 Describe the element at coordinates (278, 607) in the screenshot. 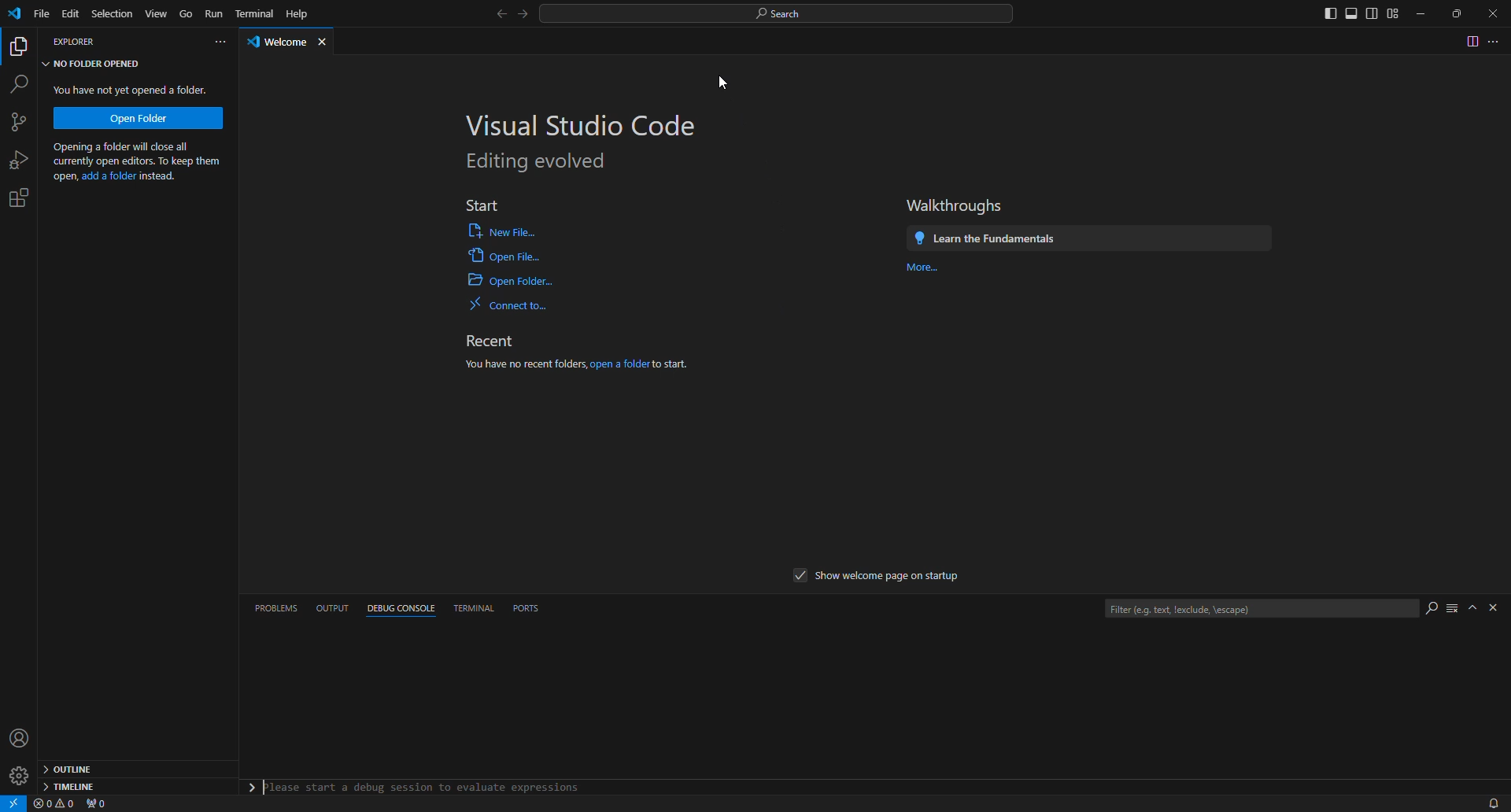

I see `problems` at that location.